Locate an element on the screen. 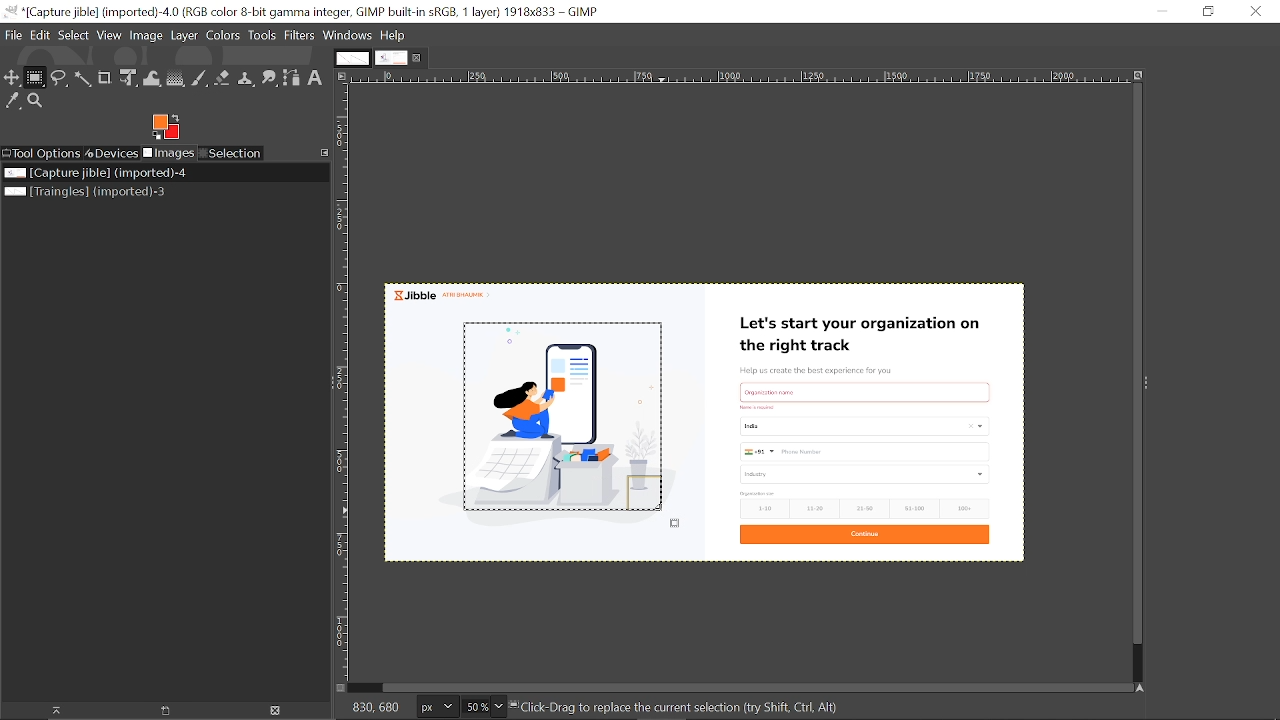 The height and width of the screenshot is (720, 1280). Devices is located at coordinates (115, 152).